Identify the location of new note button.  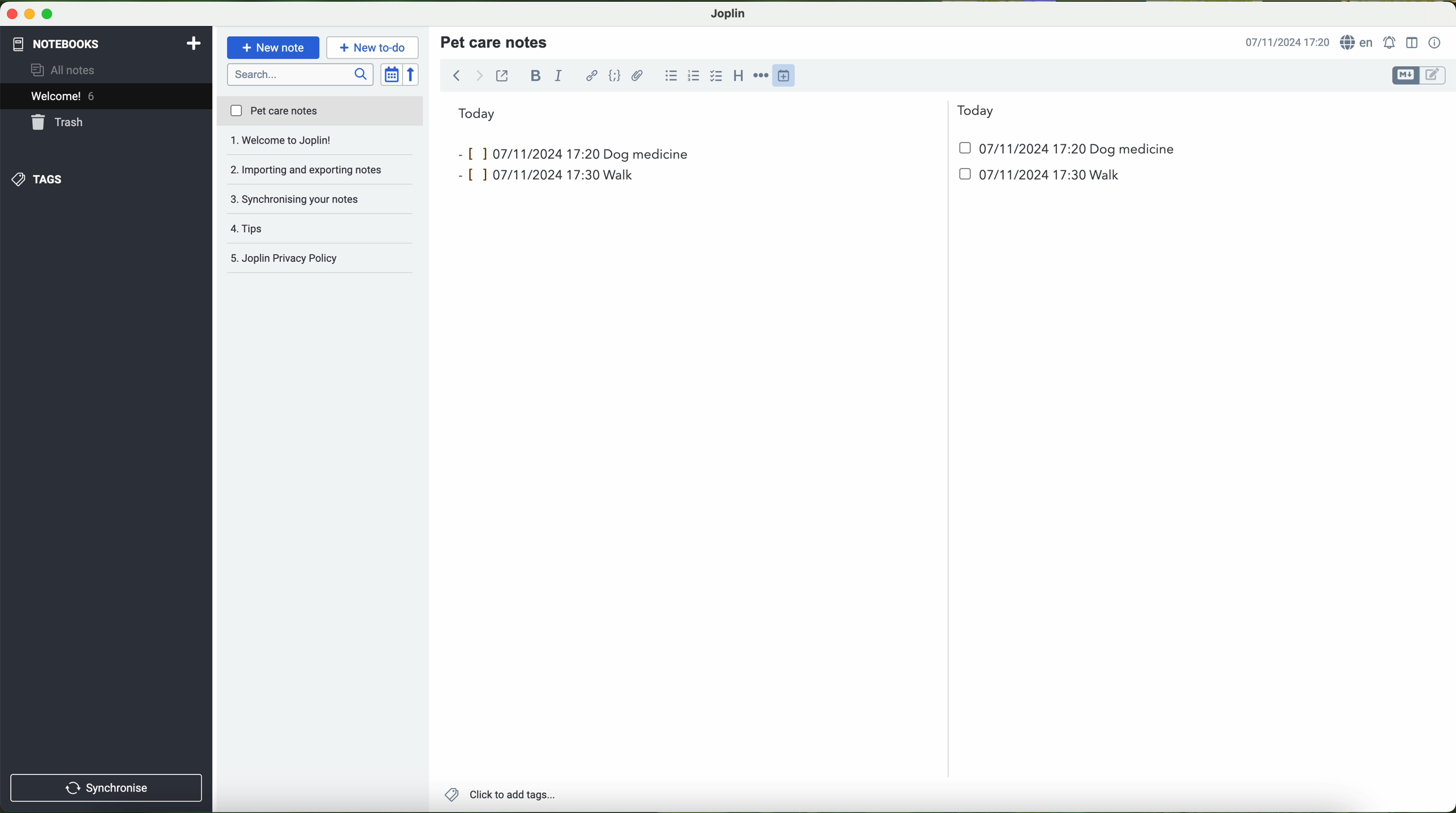
(274, 47).